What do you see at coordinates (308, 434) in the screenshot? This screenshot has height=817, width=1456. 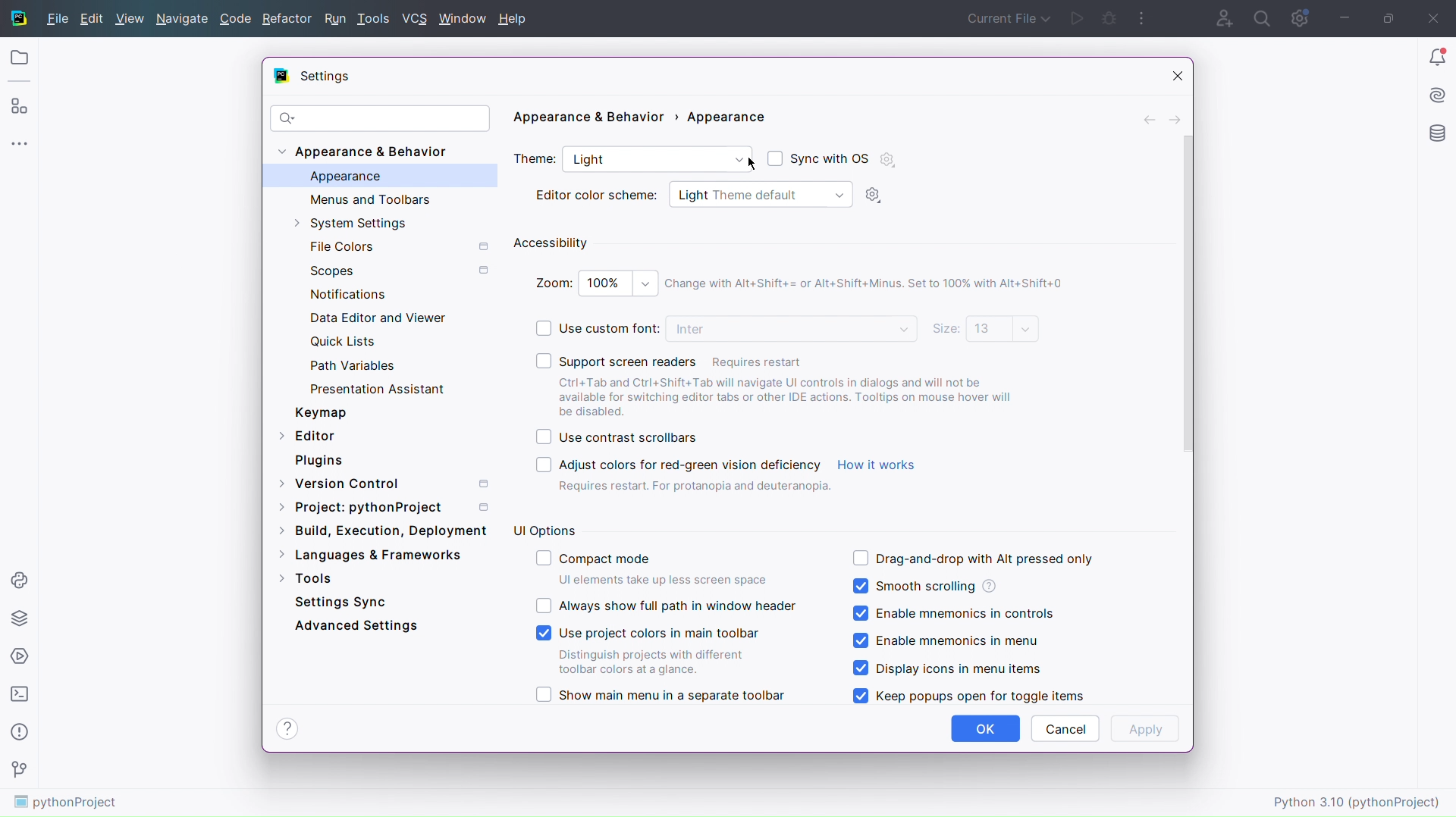 I see `Editor` at bounding box center [308, 434].